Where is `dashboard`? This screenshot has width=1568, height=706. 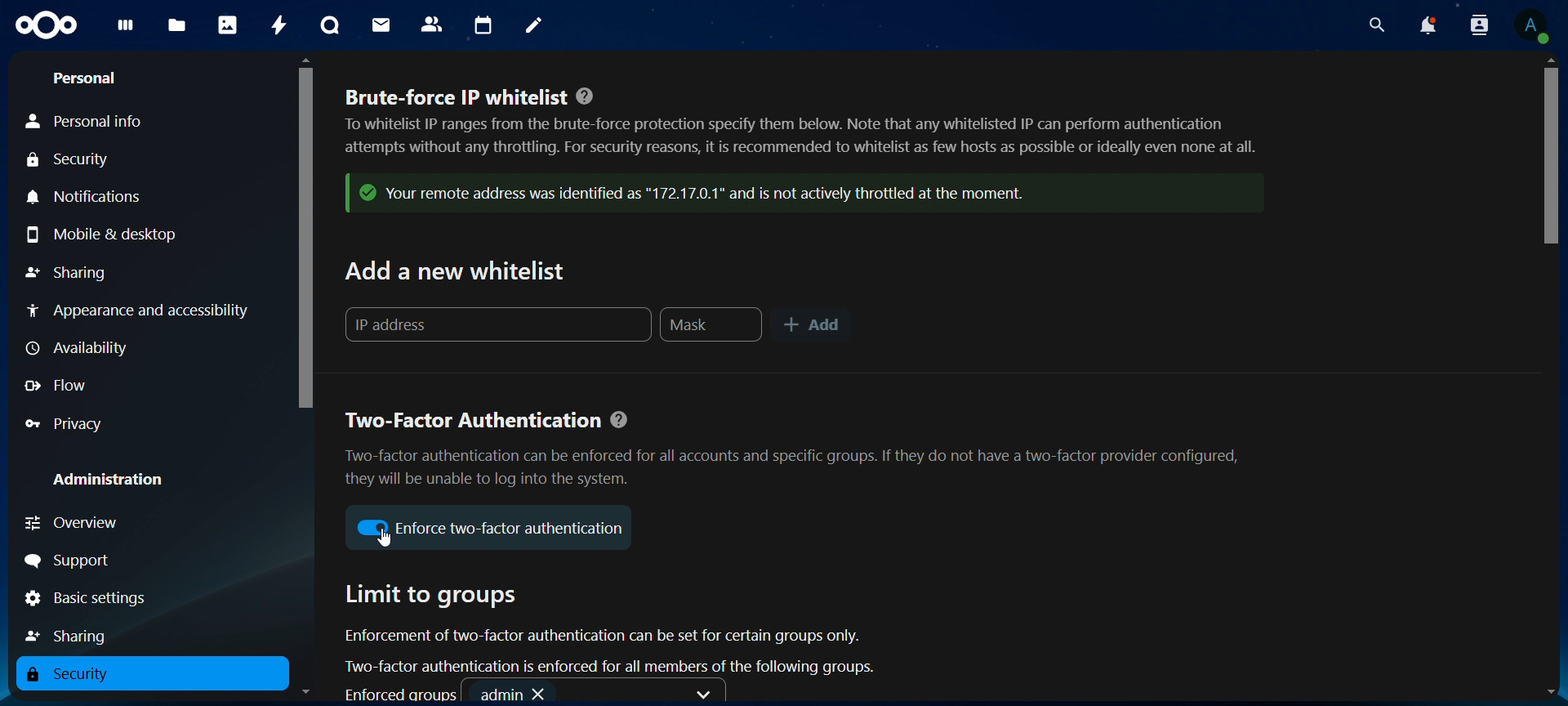
dashboard is located at coordinates (126, 29).